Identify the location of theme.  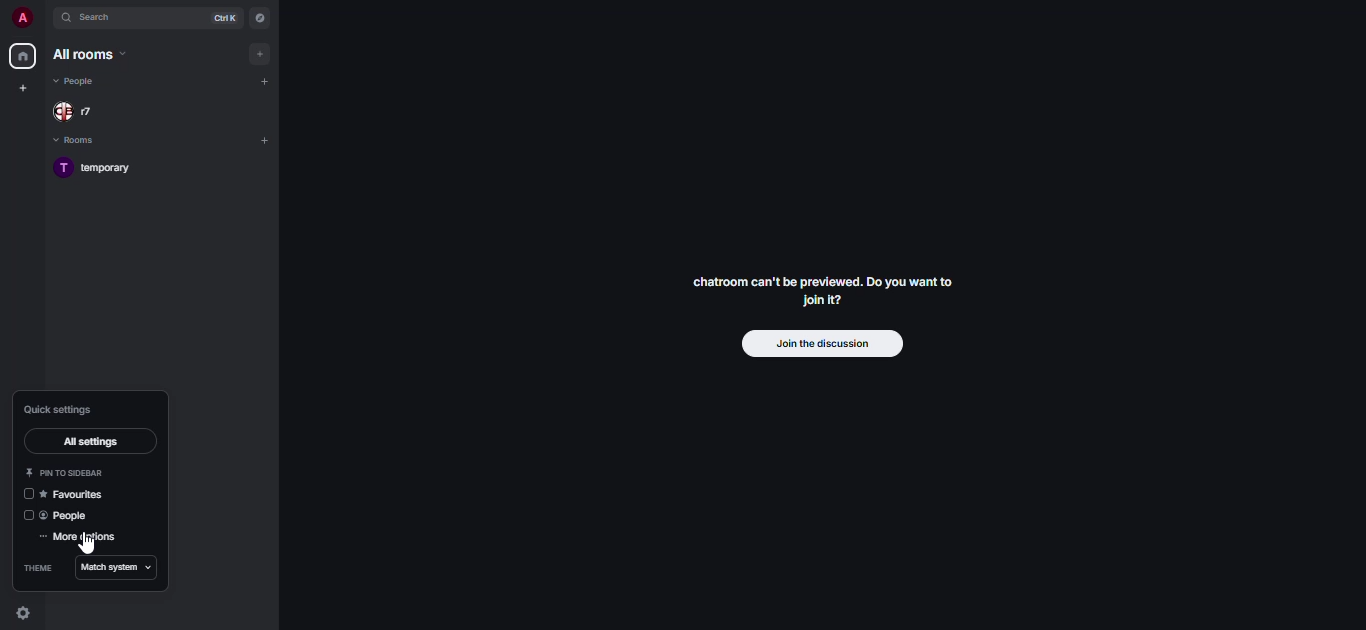
(39, 568).